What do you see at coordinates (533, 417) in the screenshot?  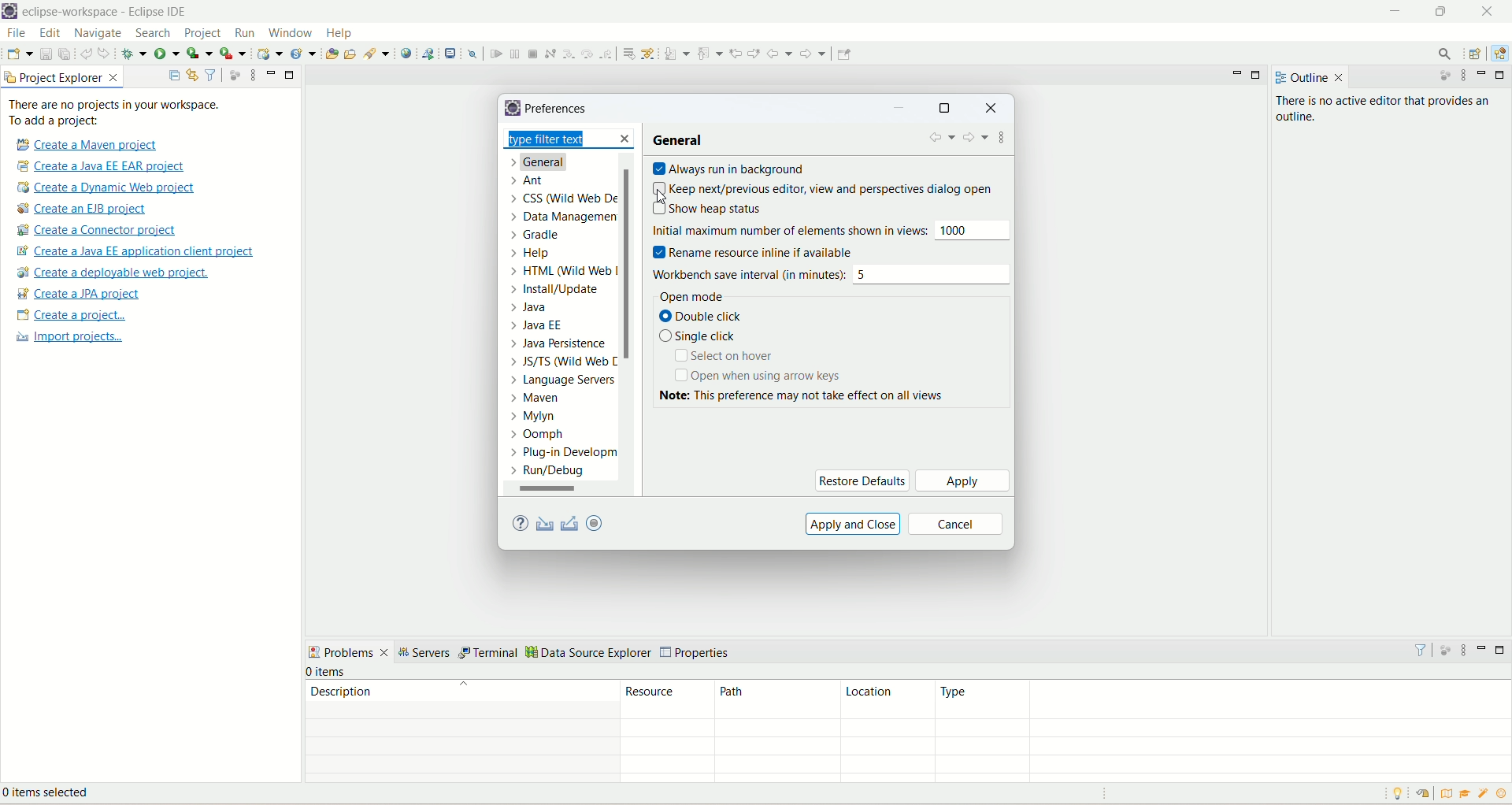 I see `mylyn` at bounding box center [533, 417].